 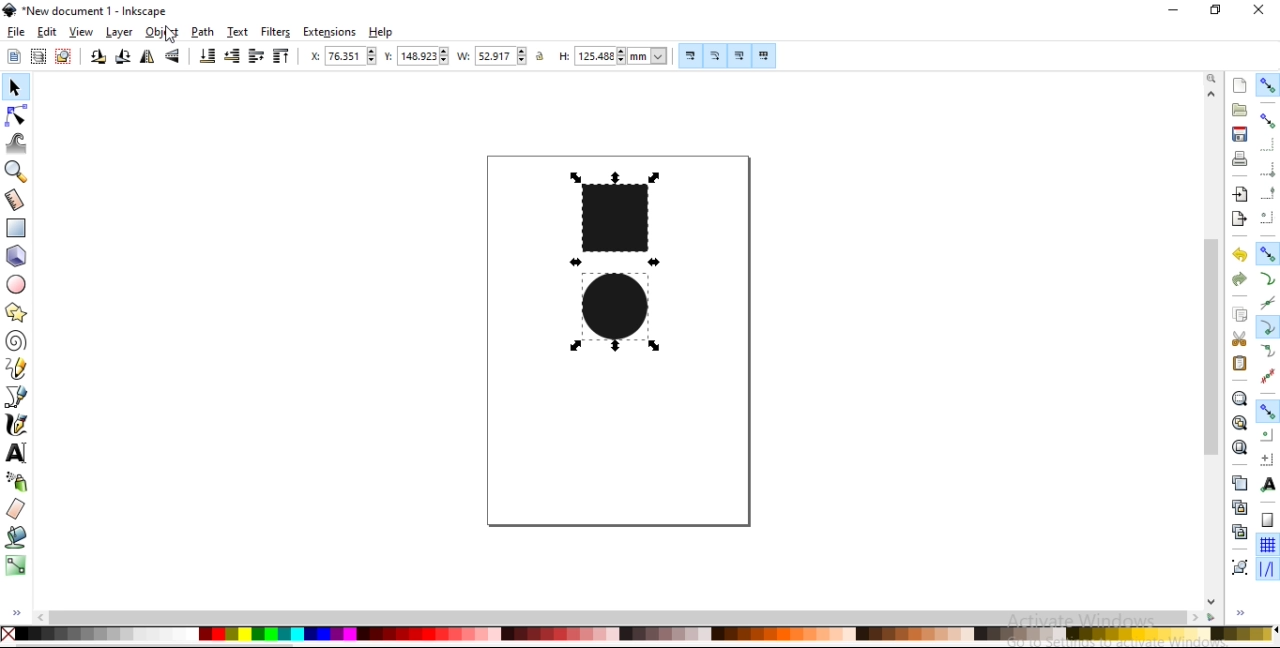 What do you see at coordinates (1268, 277) in the screenshot?
I see `snap to paths` at bounding box center [1268, 277].